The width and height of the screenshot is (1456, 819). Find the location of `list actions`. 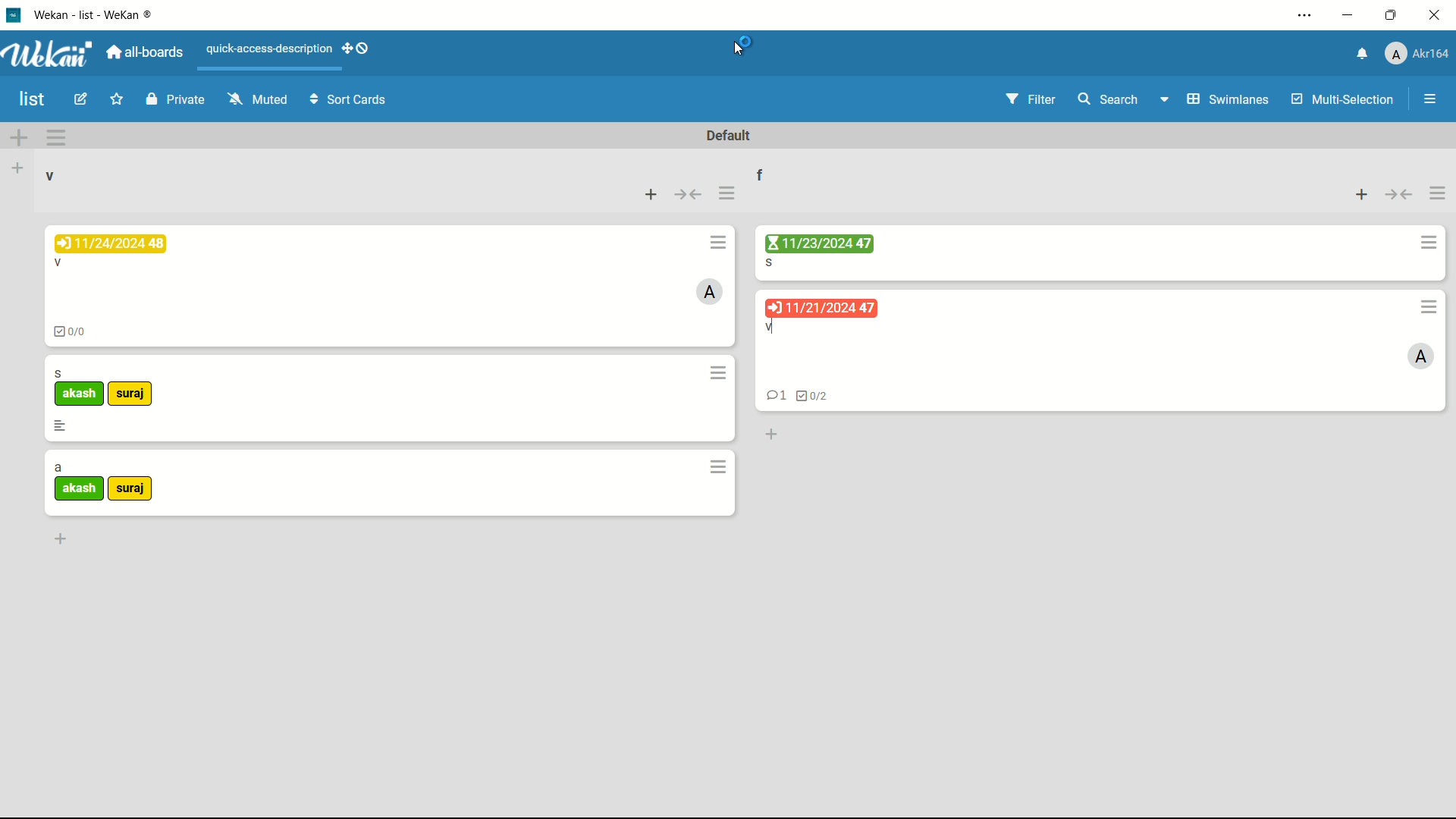

list actions is located at coordinates (726, 194).